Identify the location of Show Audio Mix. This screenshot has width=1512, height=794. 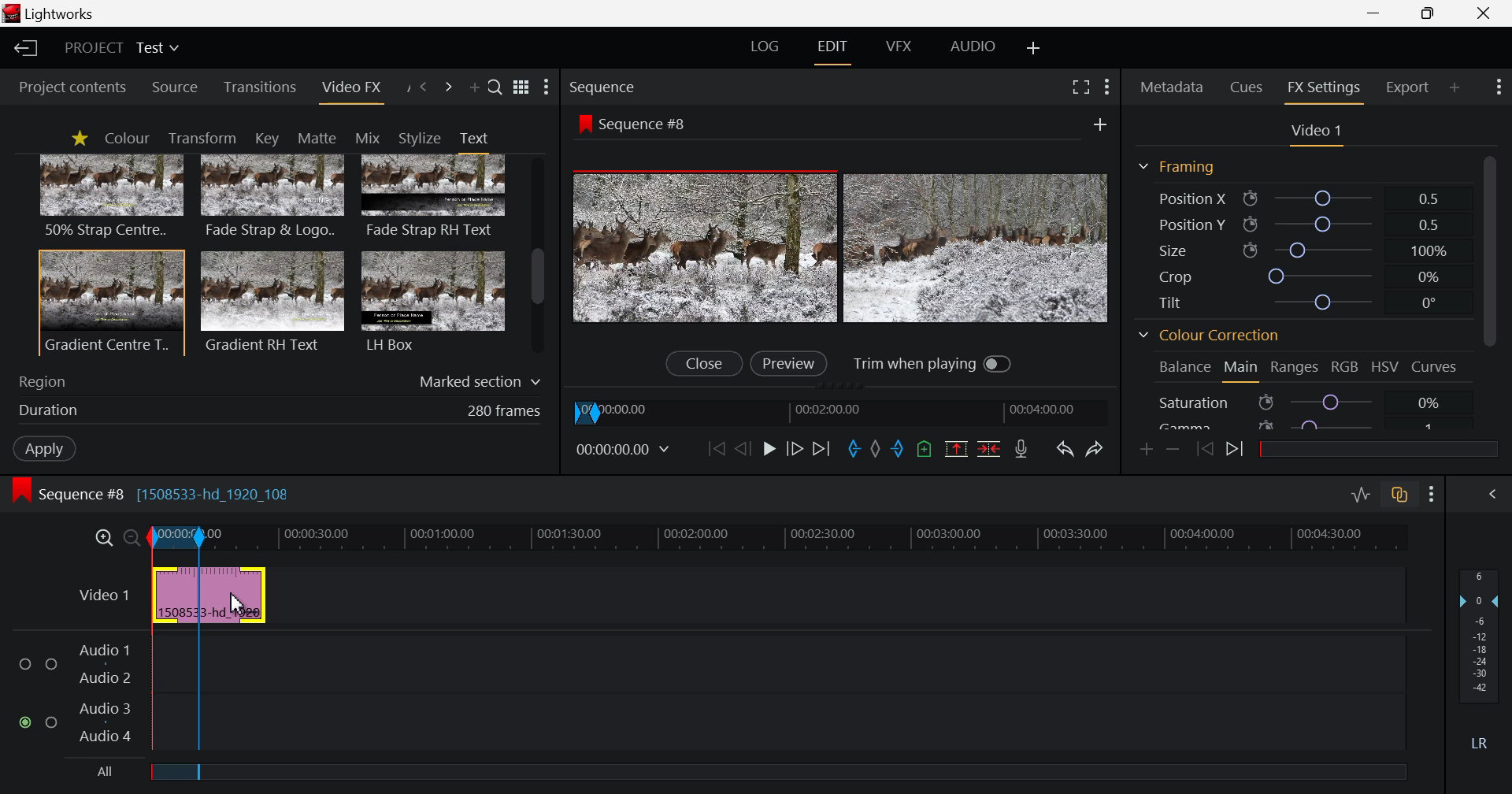
(1496, 495).